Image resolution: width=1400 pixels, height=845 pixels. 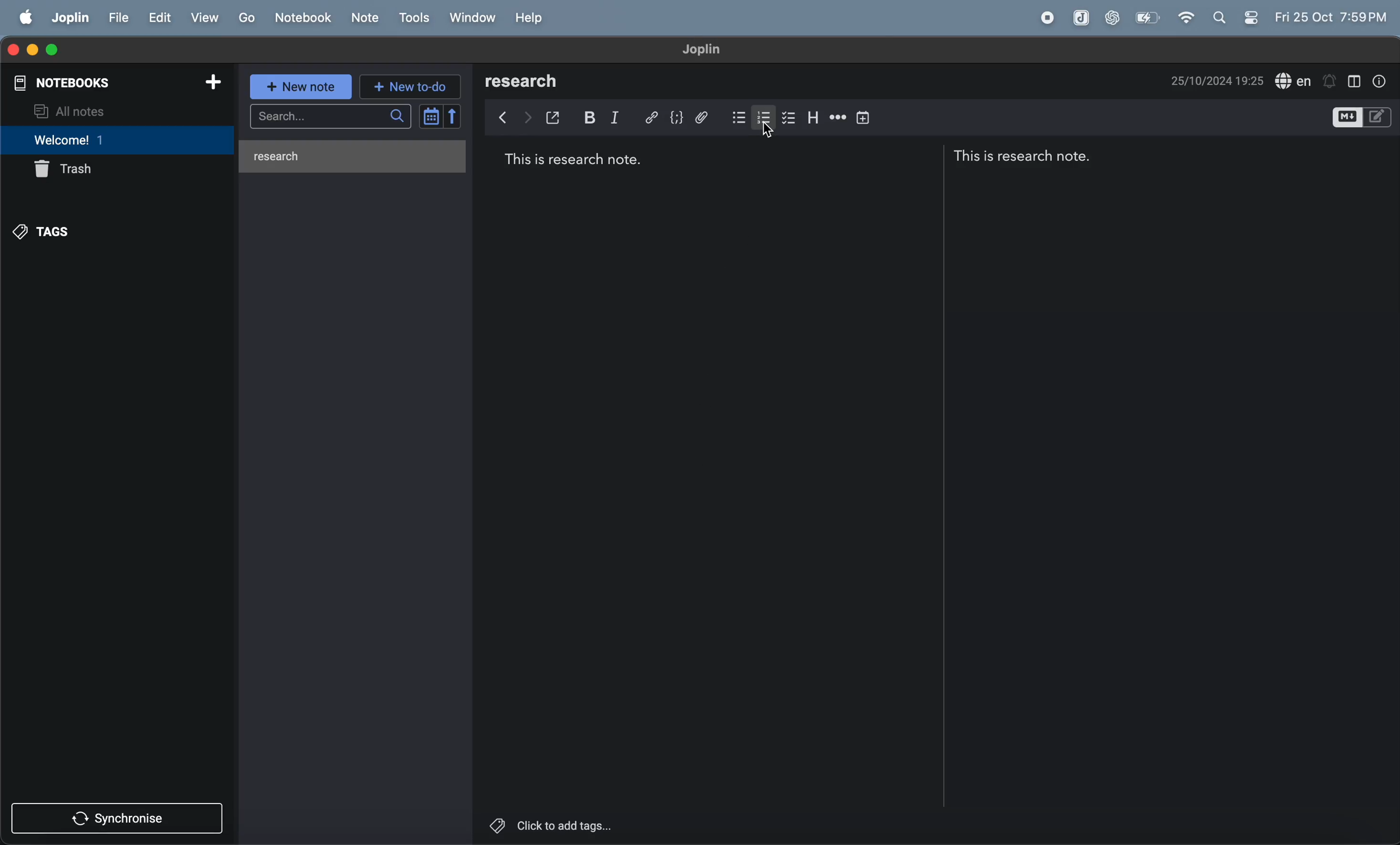 I want to click on bold , so click(x=590, y=118).